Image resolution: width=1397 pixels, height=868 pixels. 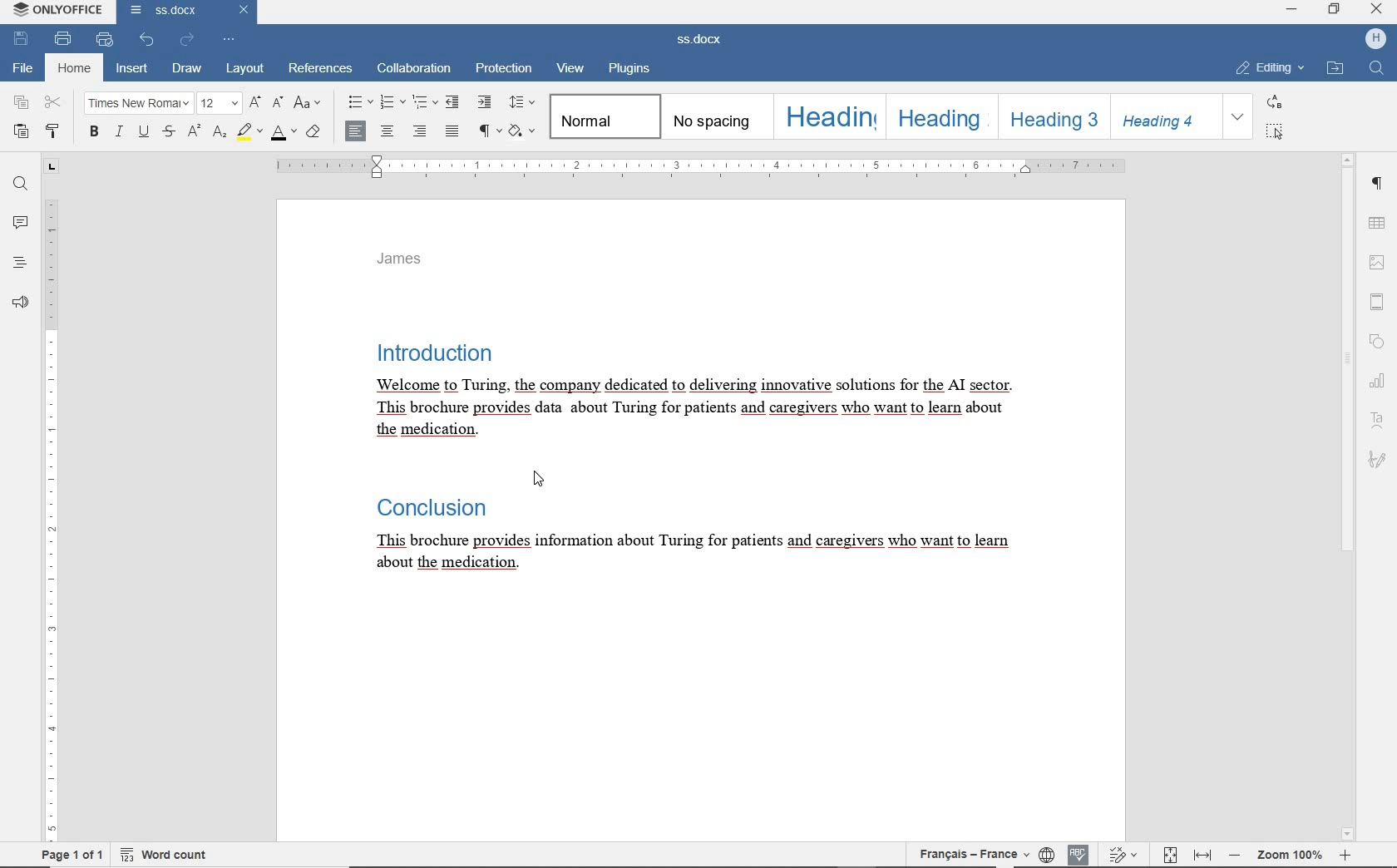 What do you see at coordinates (1292, 854) in the screenshot?
I see `ZOOM OUT OR ZOOM IN` at bounding box center [1292, 854].